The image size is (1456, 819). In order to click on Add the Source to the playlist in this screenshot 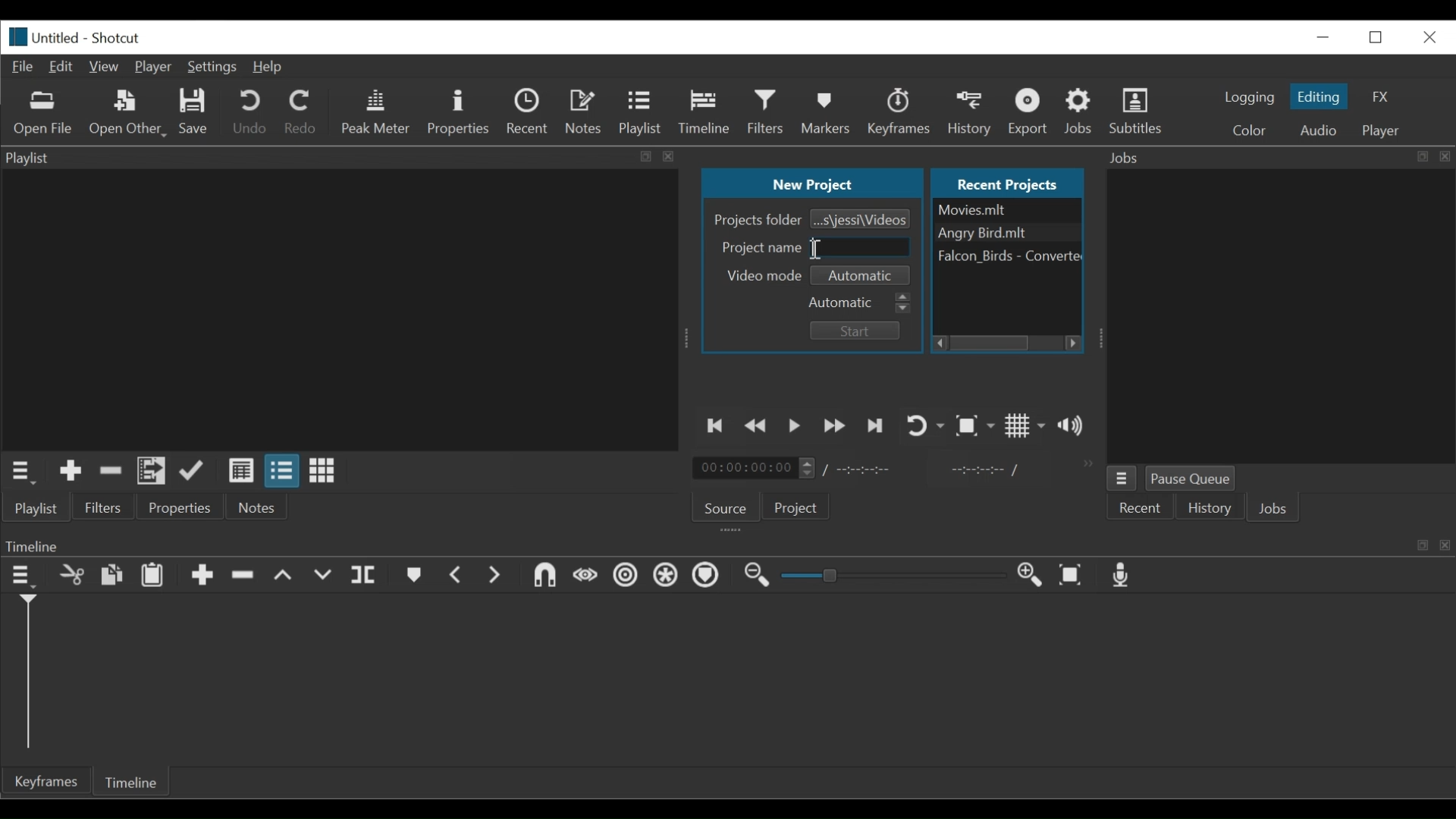, I will do `click(71, 471)`.